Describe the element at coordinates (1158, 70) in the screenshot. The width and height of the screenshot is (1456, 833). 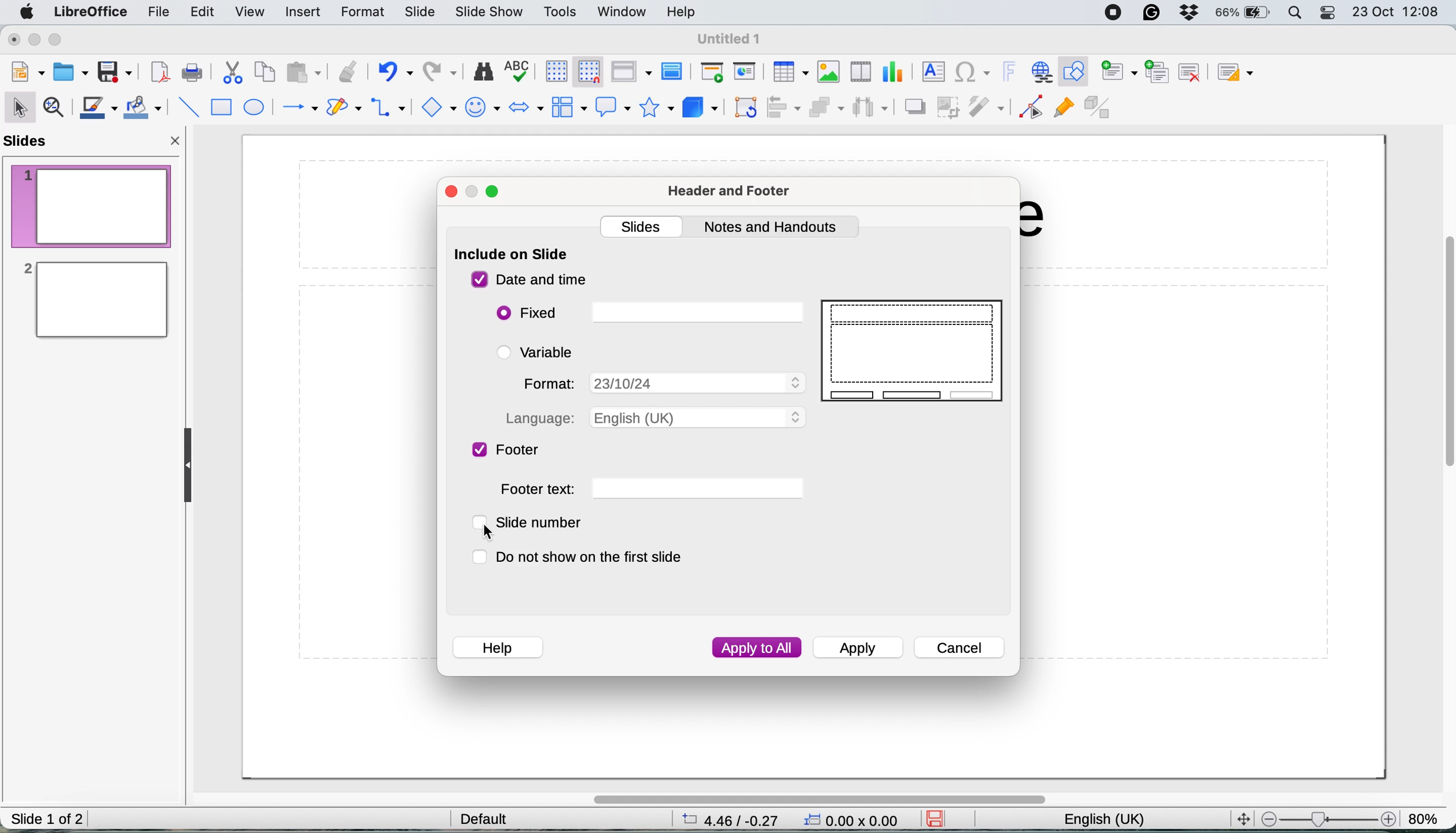
I see `duplicate slide` at that location.